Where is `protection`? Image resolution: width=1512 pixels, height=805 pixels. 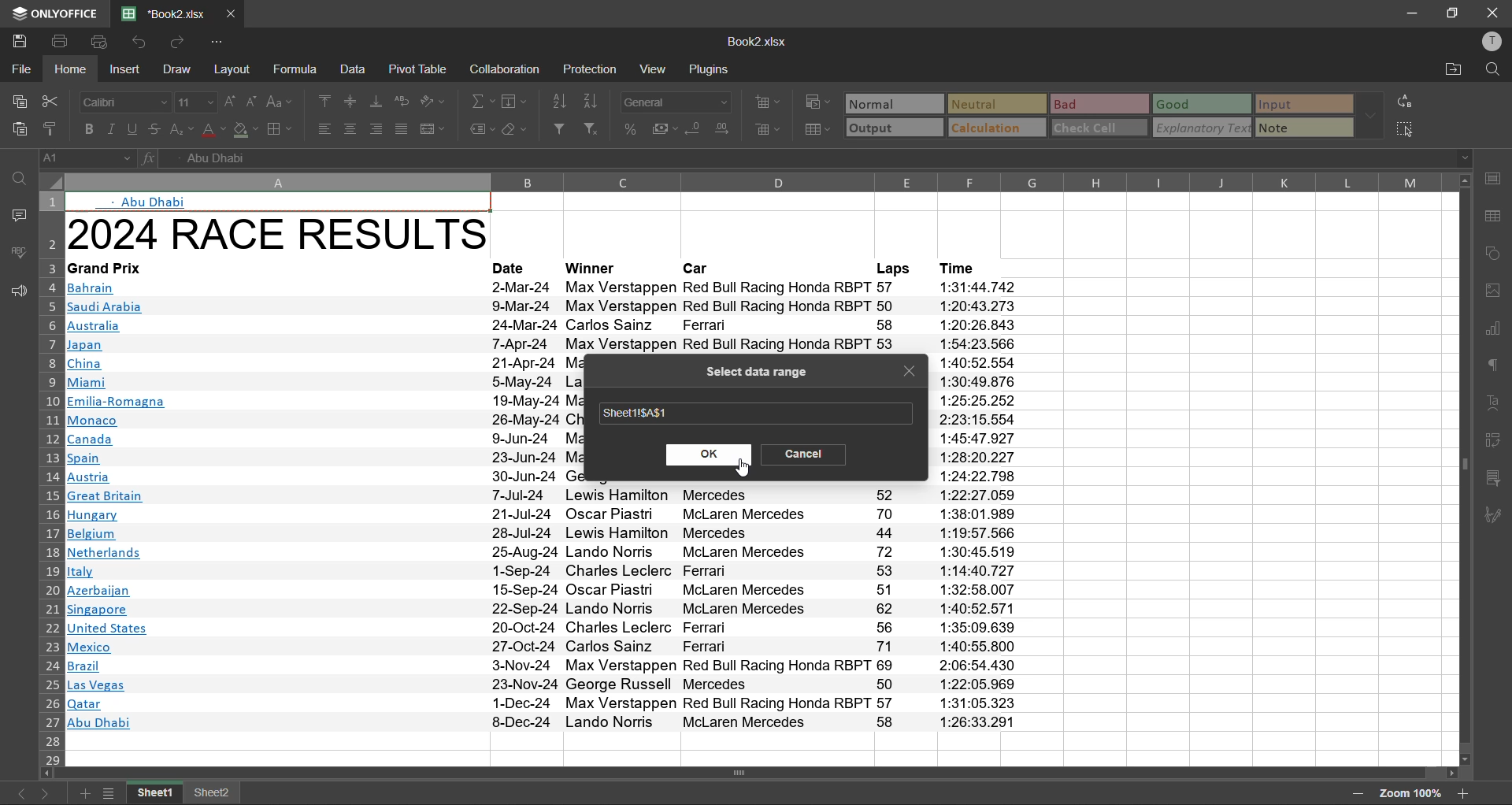
protection is located at coordinates (592, 70).